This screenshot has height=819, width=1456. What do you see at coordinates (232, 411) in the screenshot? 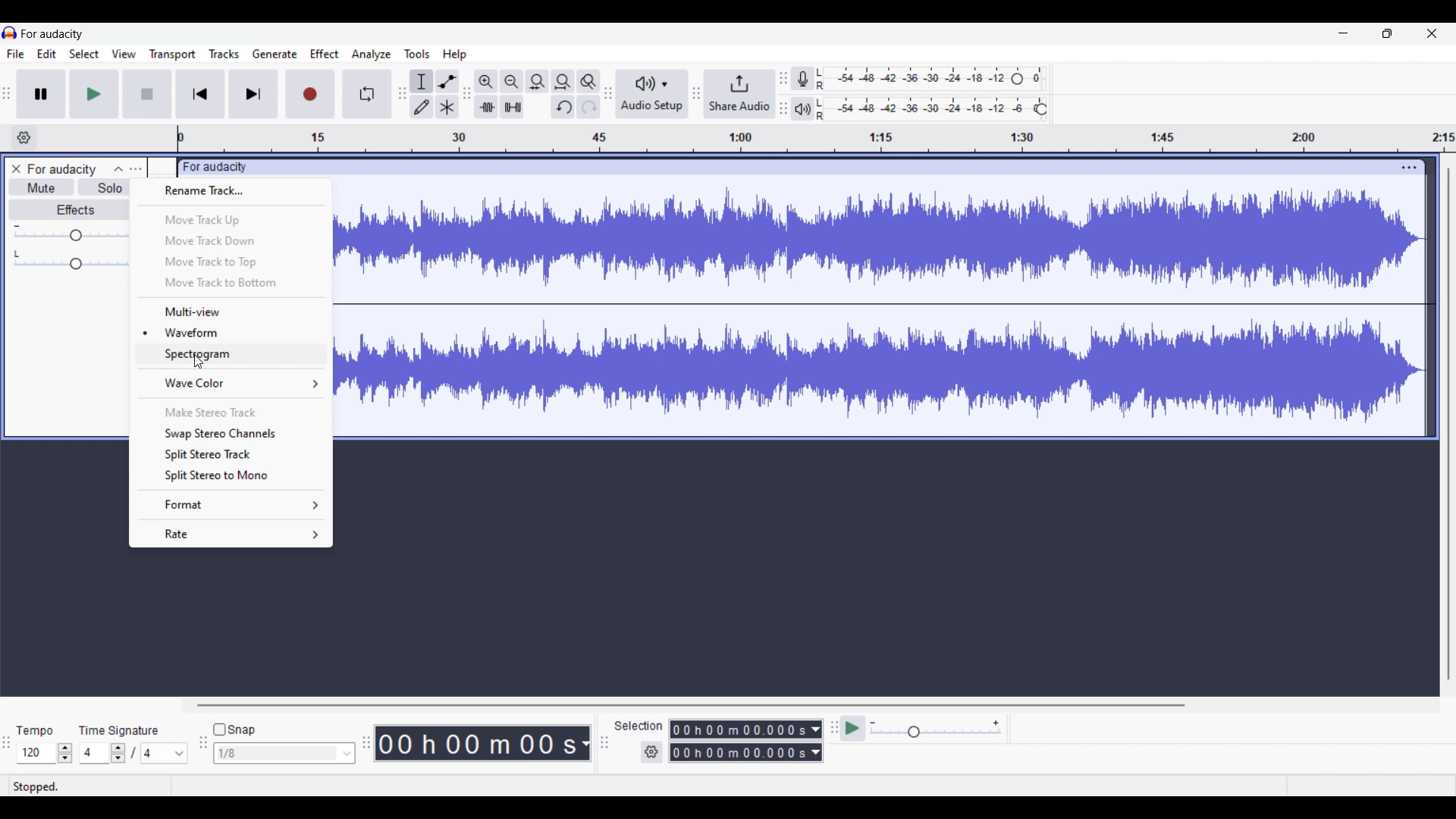
I see `Make stereo track` at bounding box center [232, 411].